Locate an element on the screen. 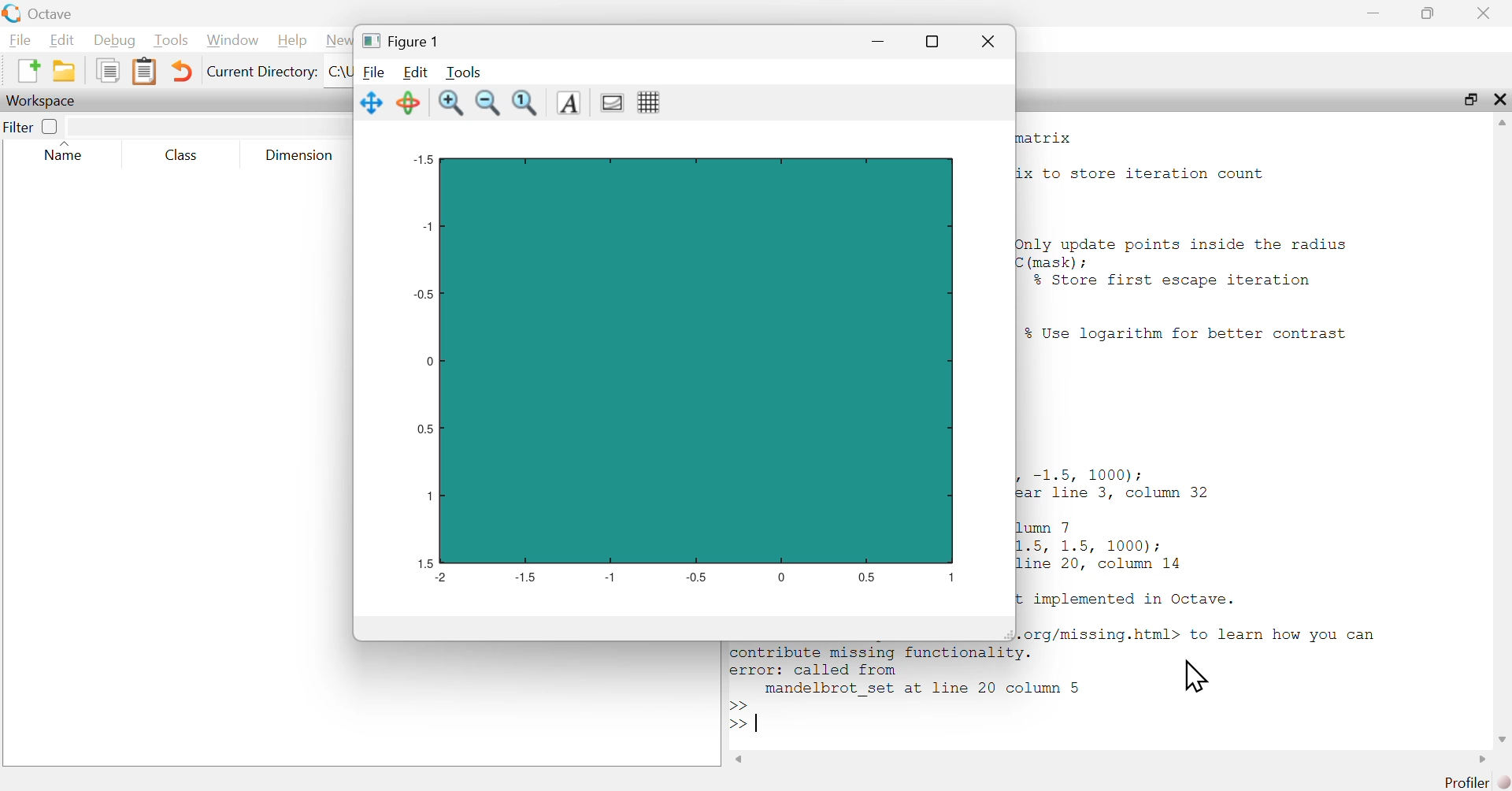  paste is located at coordinates (146, 70).